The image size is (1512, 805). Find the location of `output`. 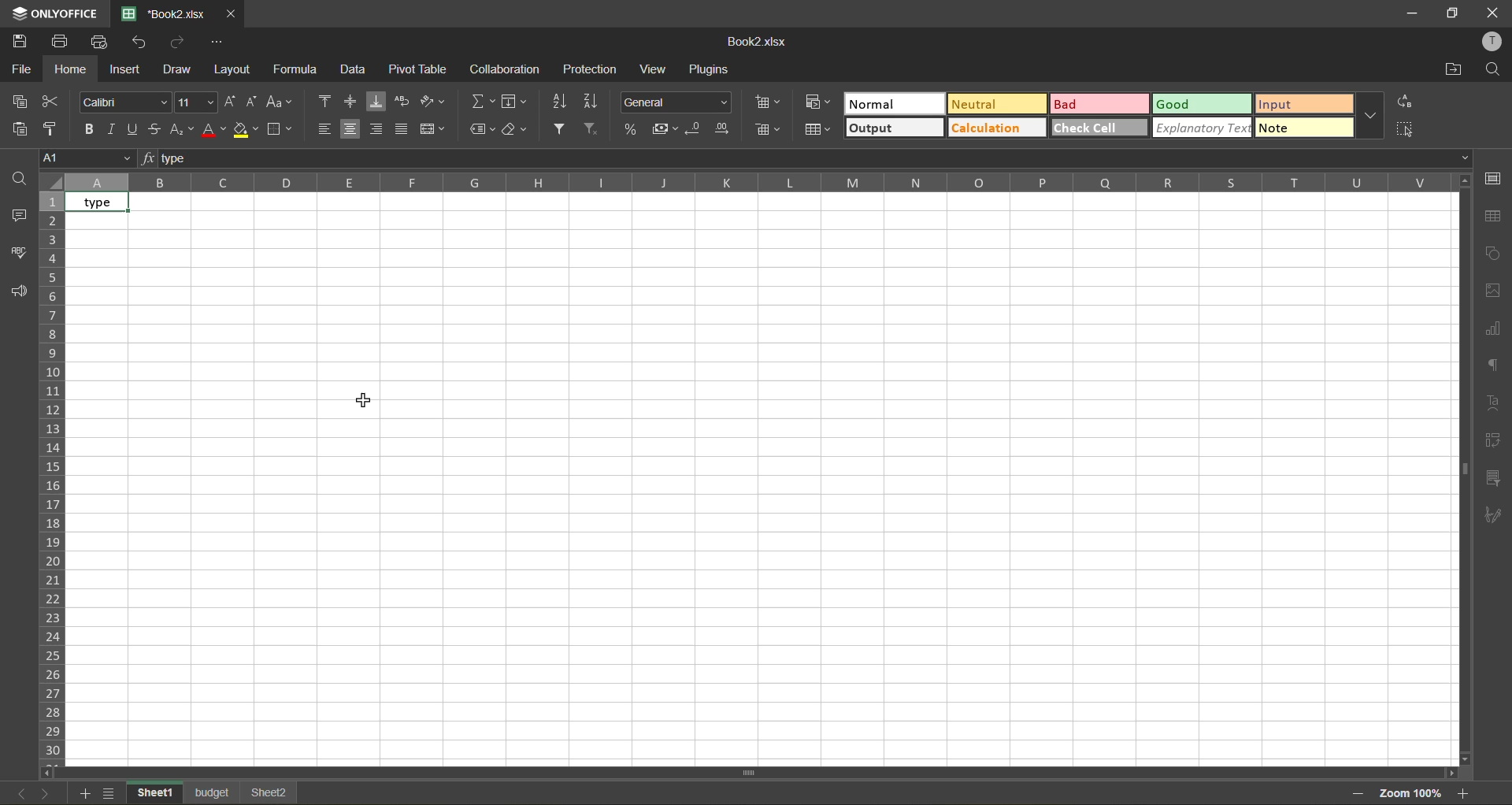

output is located at coordinates (892, 128).